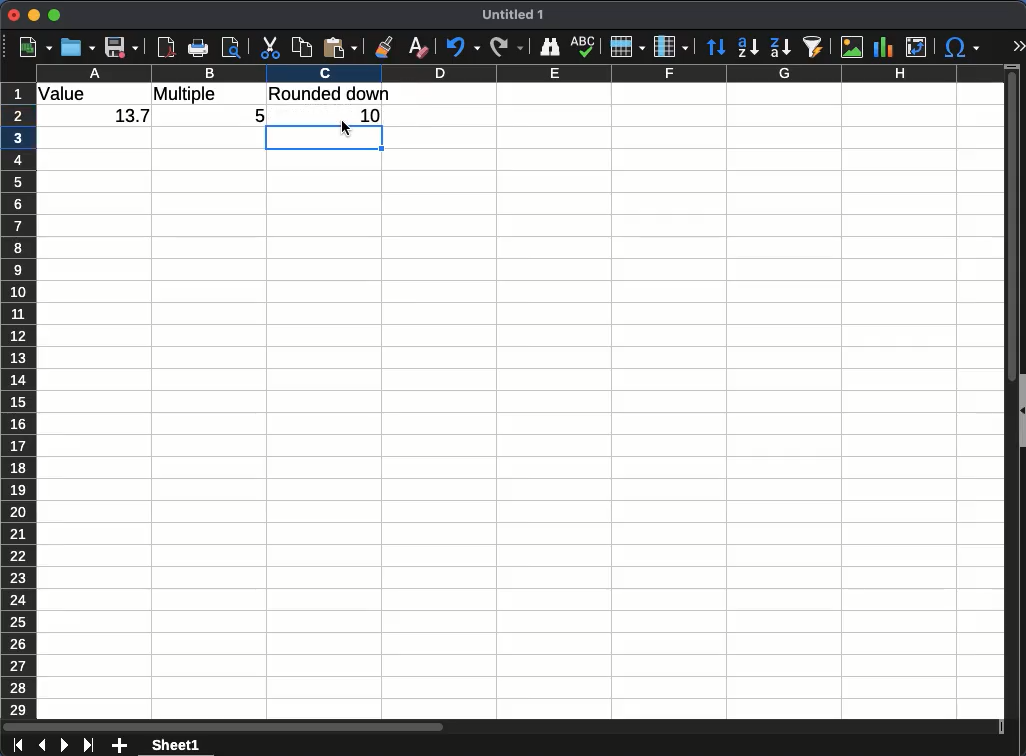  I want to click on 5, so click(256, 113).